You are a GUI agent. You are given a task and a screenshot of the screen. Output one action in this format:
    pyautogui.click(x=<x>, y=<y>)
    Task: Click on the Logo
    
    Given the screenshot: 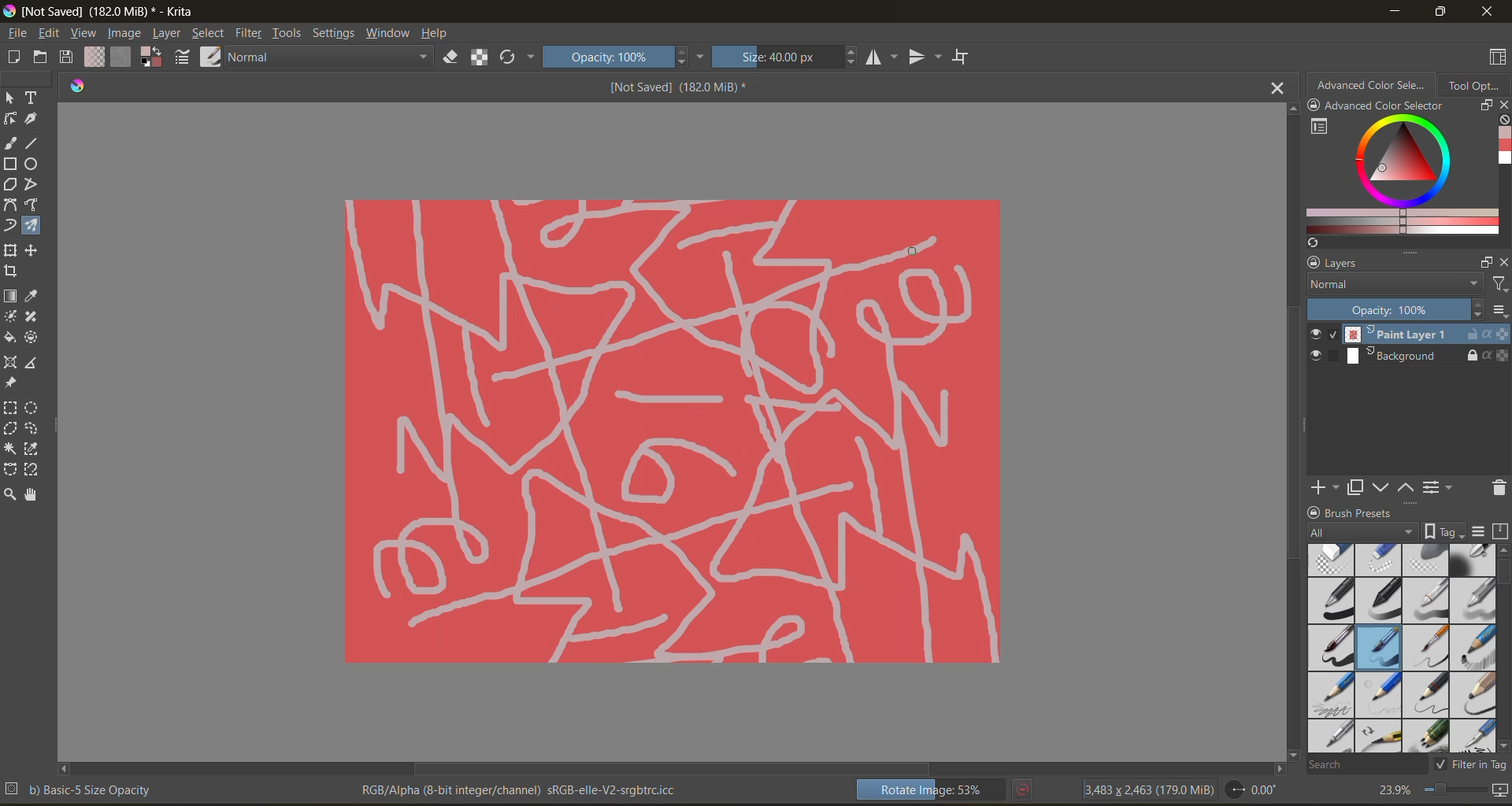 What is the action you would take?
    pyautogui.click(x=79, y=93)
    